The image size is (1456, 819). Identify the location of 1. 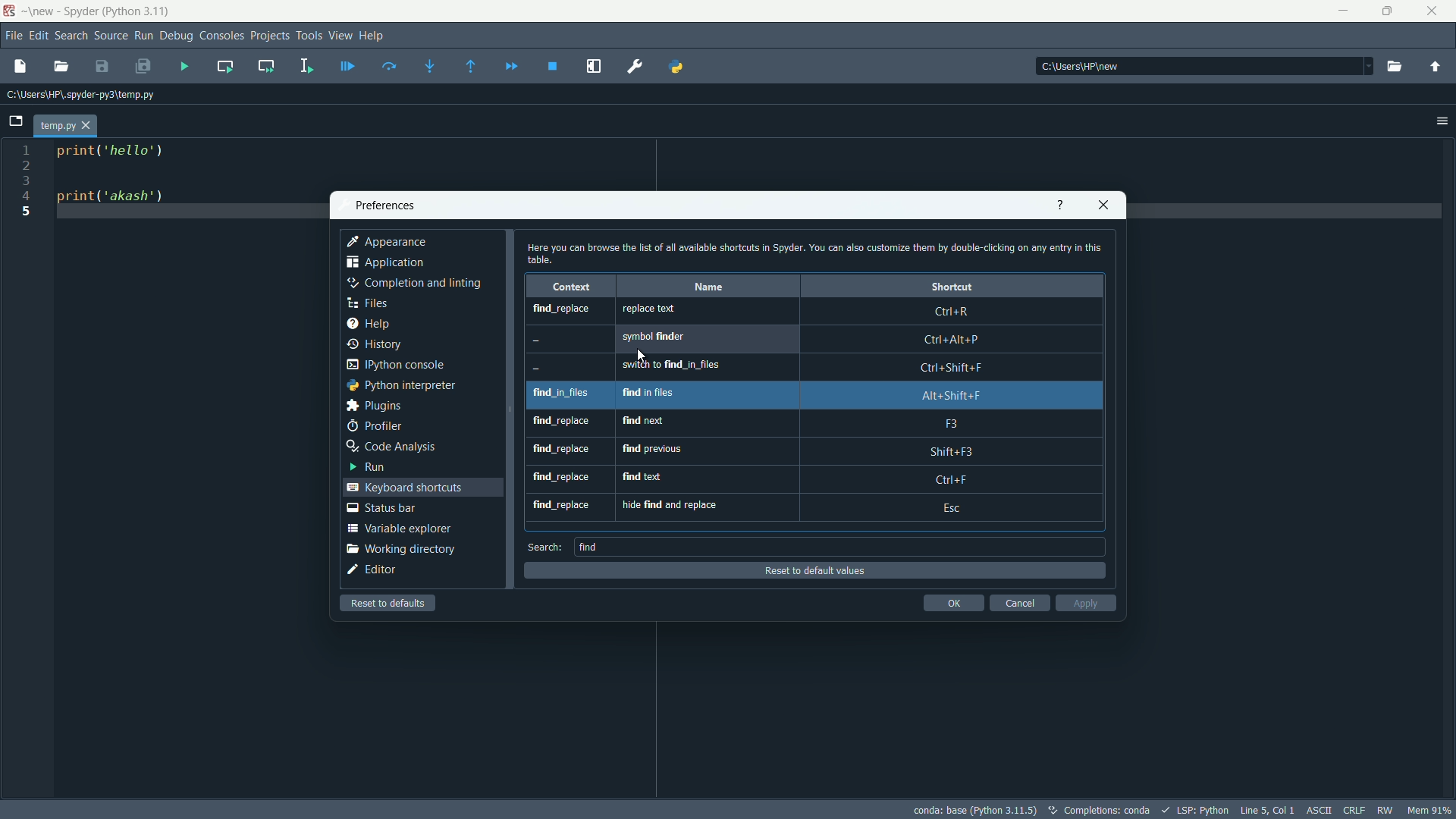
(27, 150).